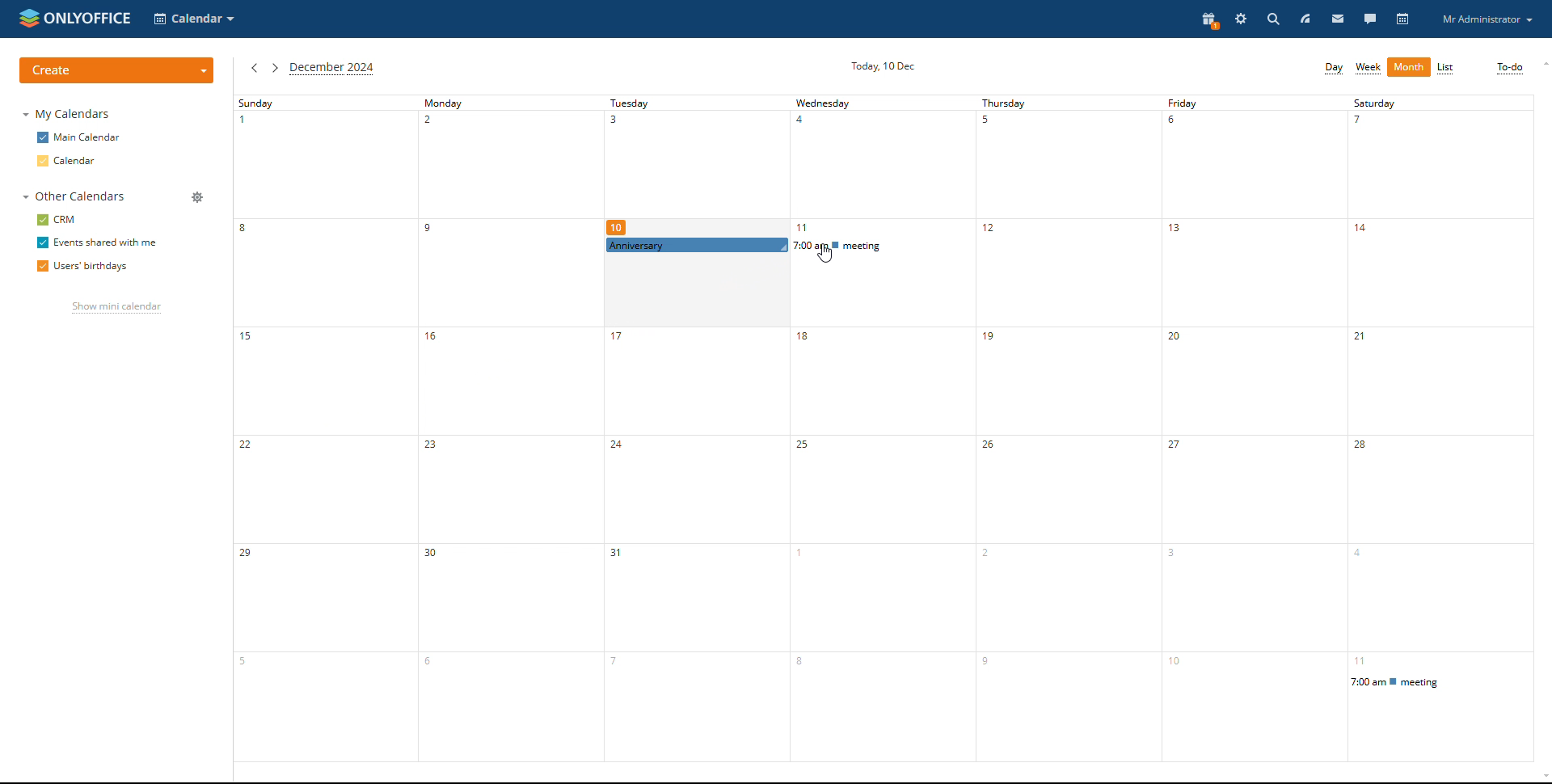 This screenshot has height=784, width=1552. I want to click on manage, so click(198, 196).